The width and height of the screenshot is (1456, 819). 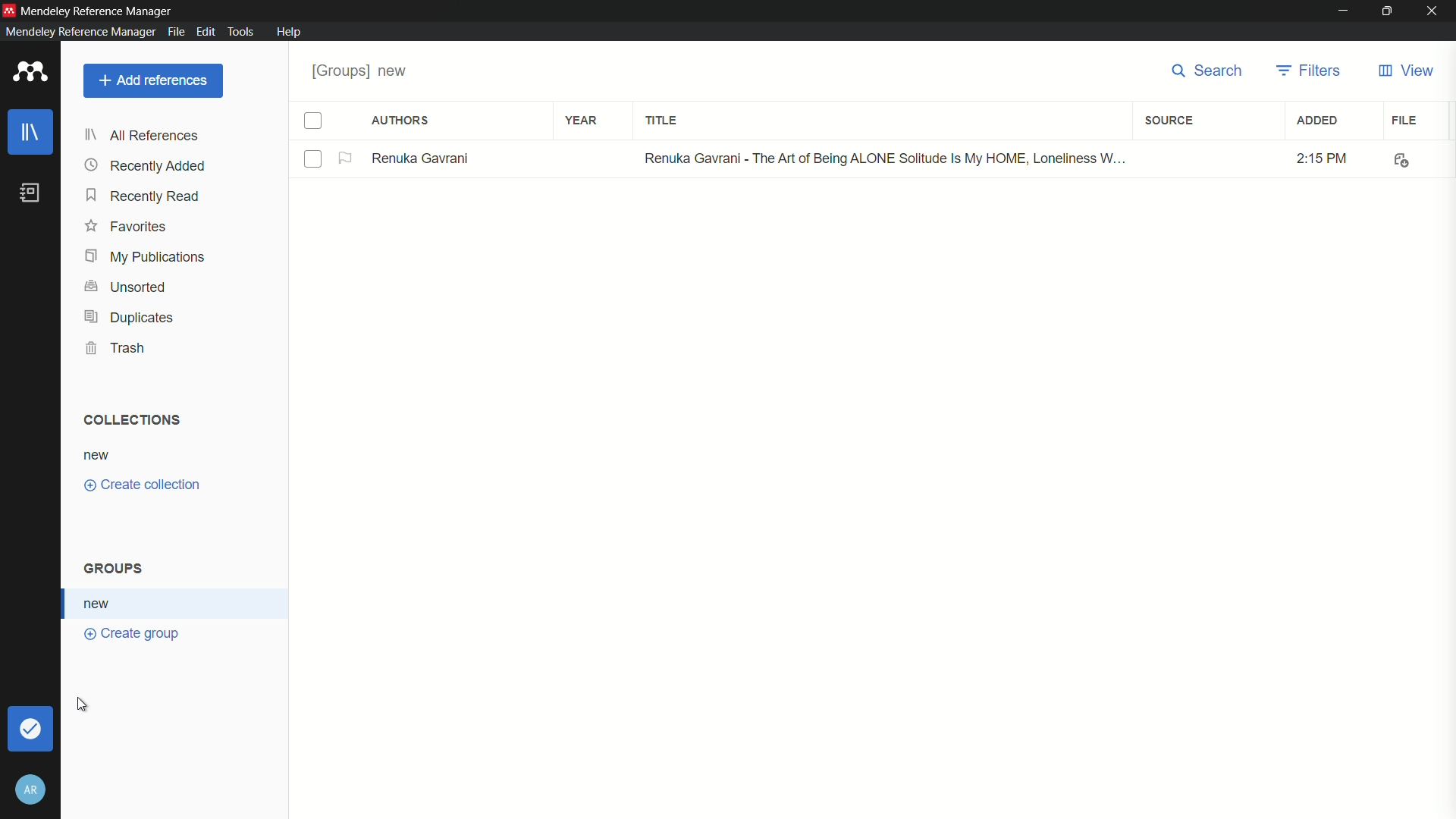 I want to click on close app, so click(x=1435, y=11).